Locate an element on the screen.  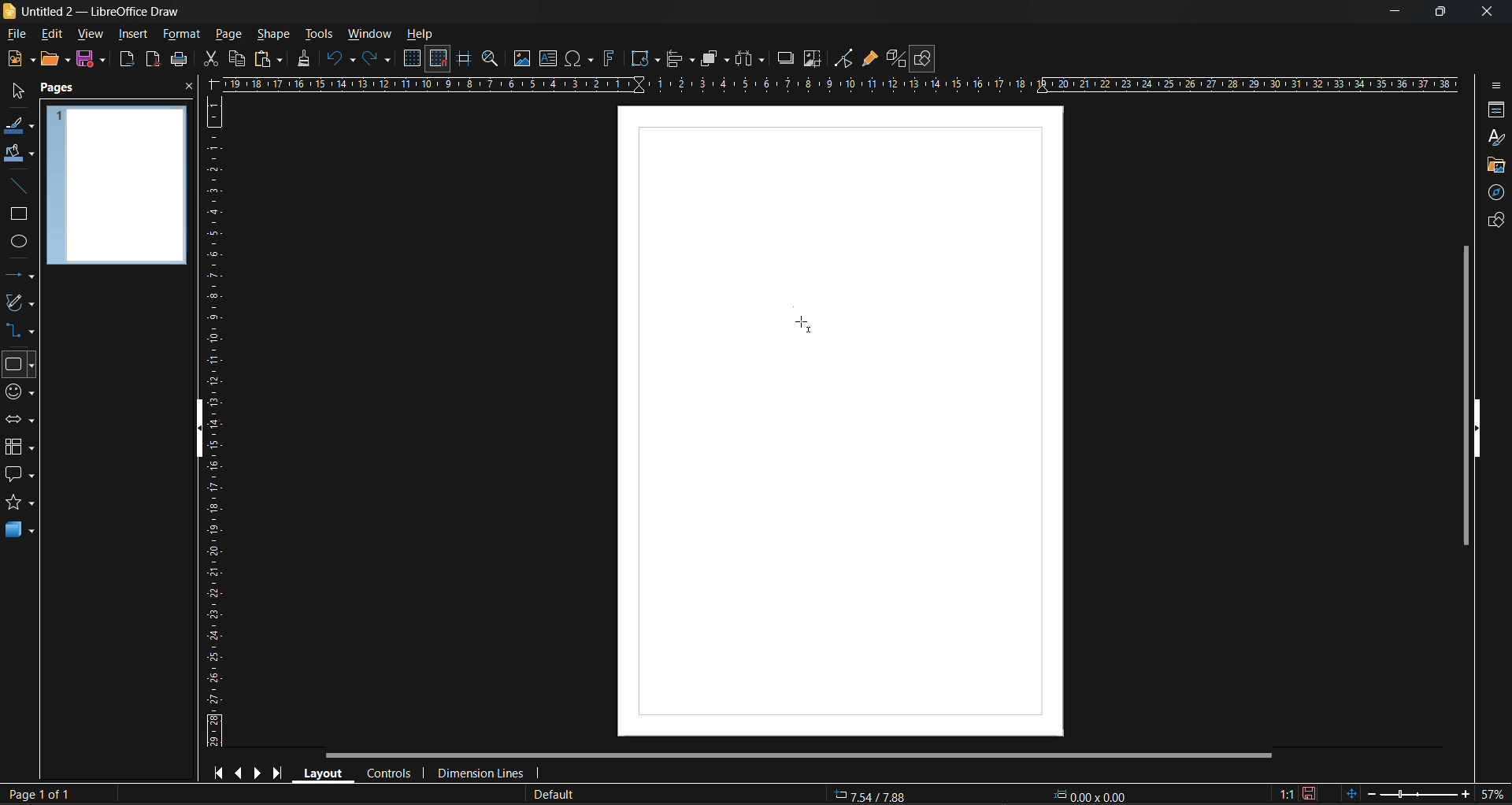
redo is located at coordinates (377, 60).